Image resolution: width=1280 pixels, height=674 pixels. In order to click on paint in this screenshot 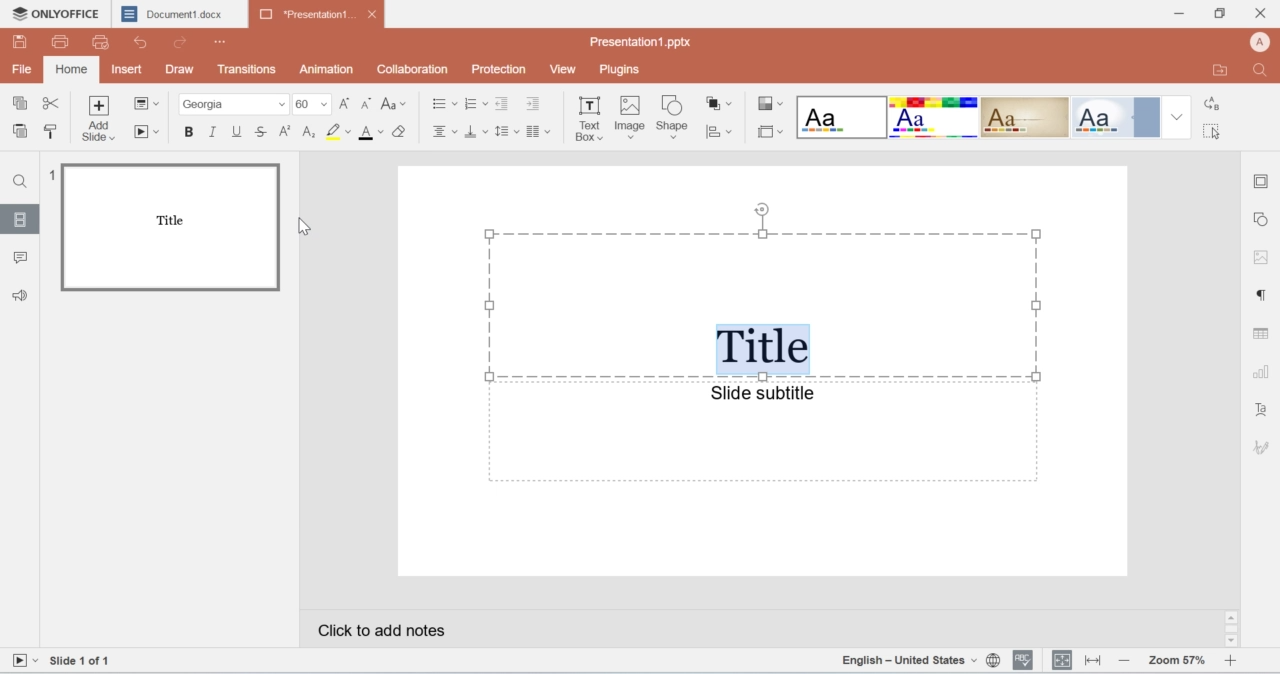, I will do `click(51, 130)`.